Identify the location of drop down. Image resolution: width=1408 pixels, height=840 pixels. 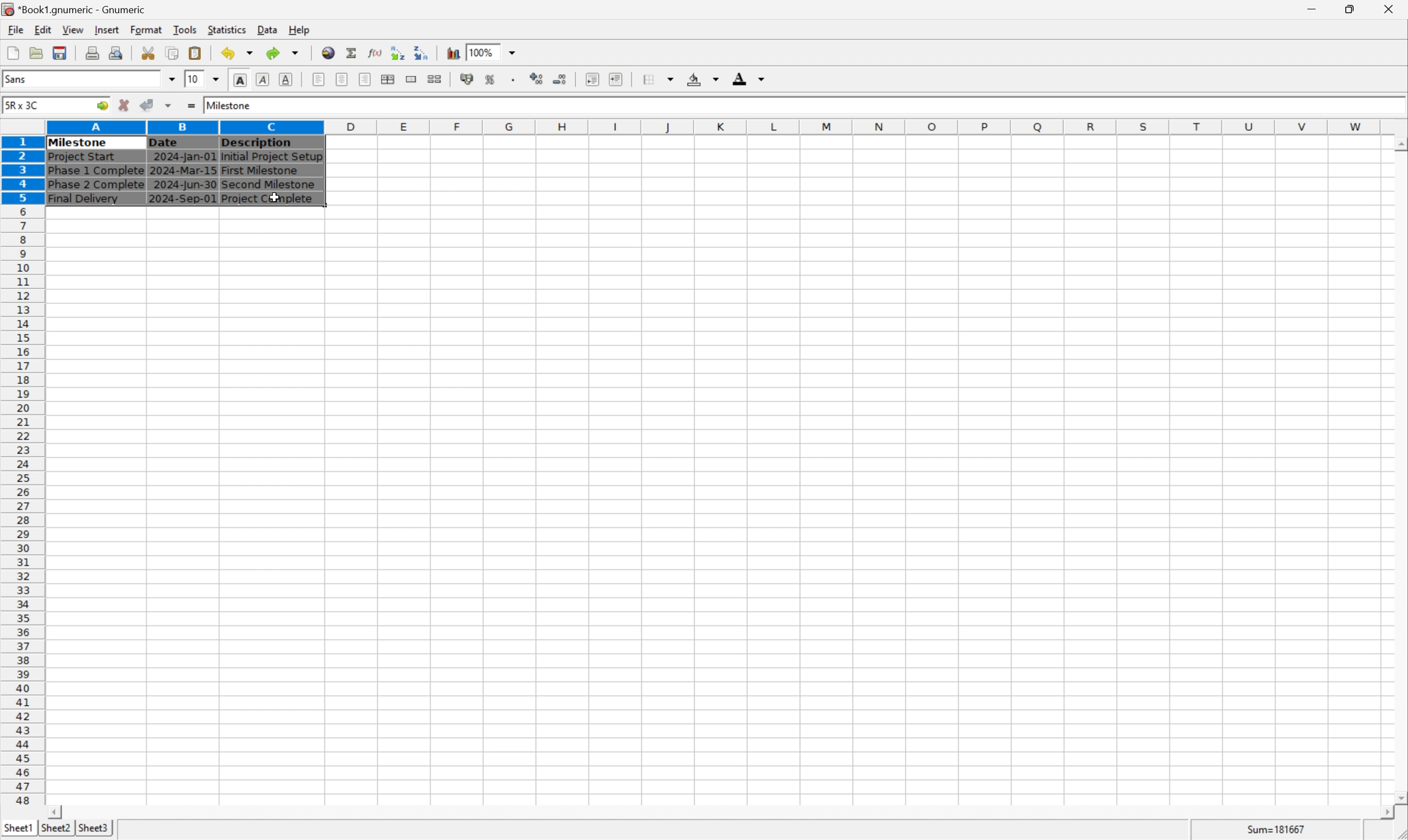
(217, 78).